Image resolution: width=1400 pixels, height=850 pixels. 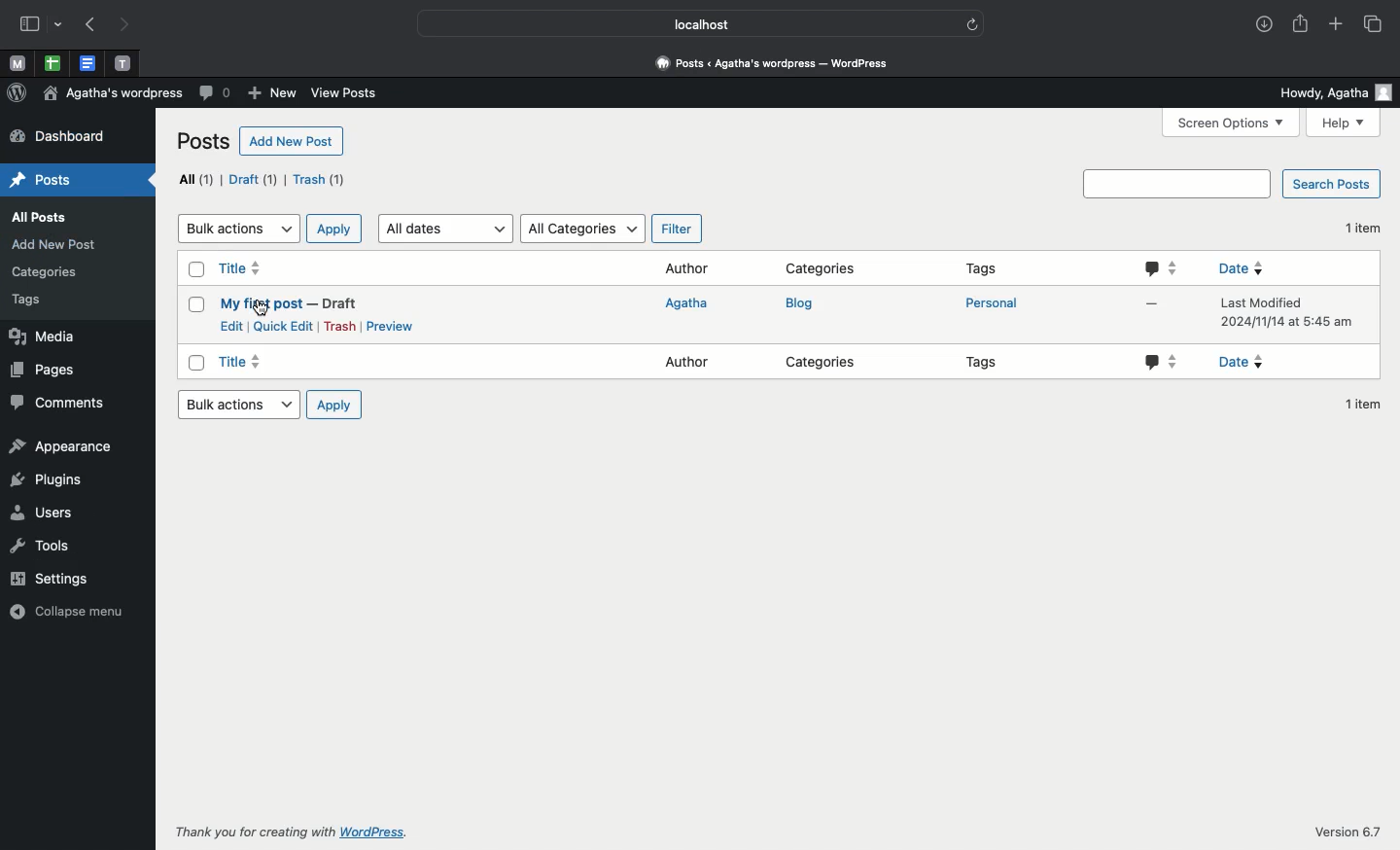 What do you see at coordinates (68, 405) in the screenshot?
I see `Comments` at bounding box center [68, 405].